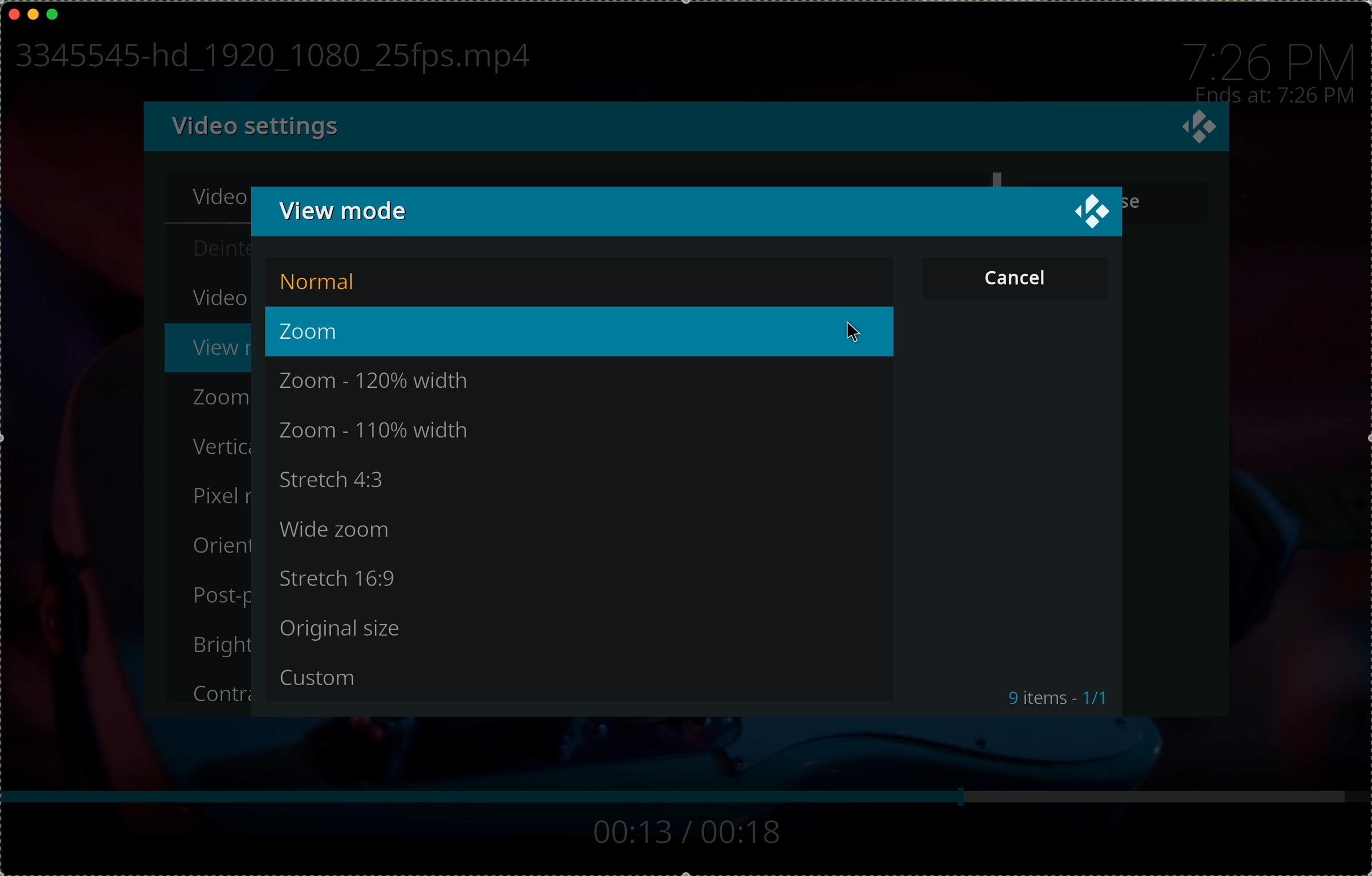 The height and width of the screenshot is (876, 1372). Describe the element at coordinates (378, 431) in the screenshot. I see `zoom - 110% width` at that location.